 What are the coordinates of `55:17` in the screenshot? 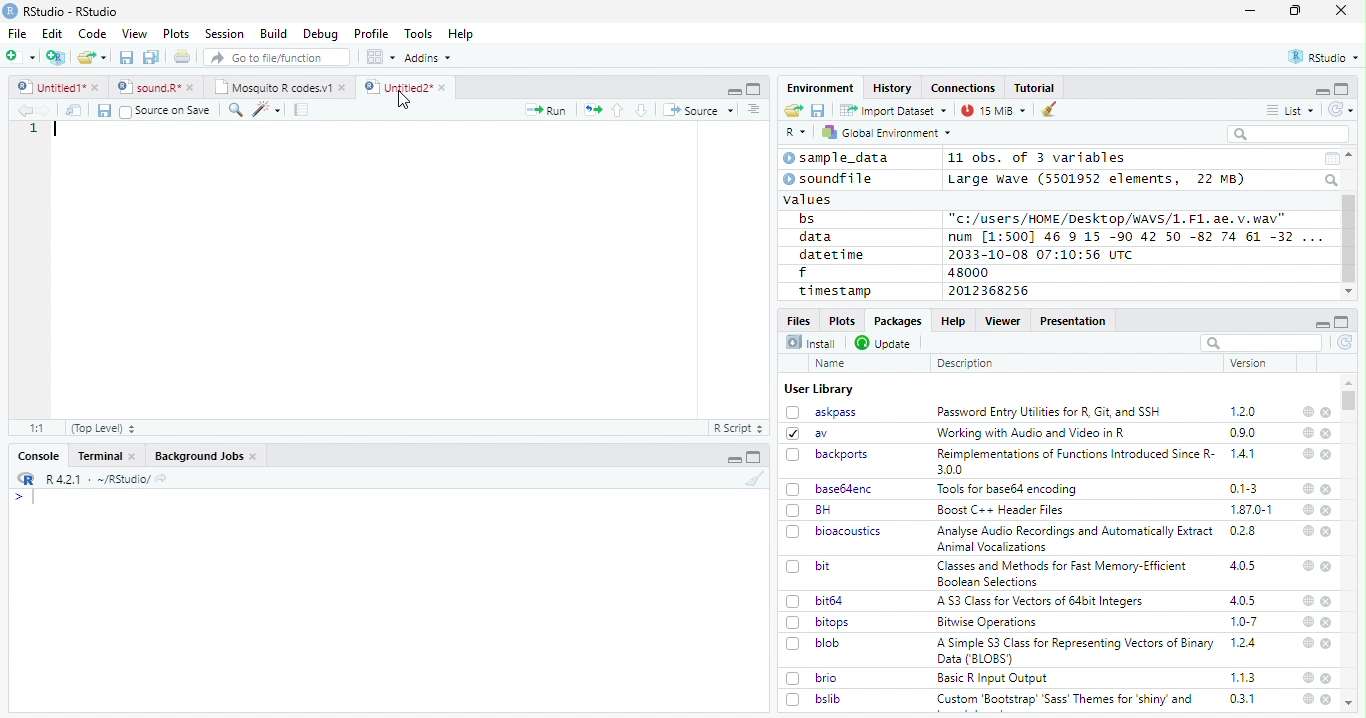 It's located at (38, 428).